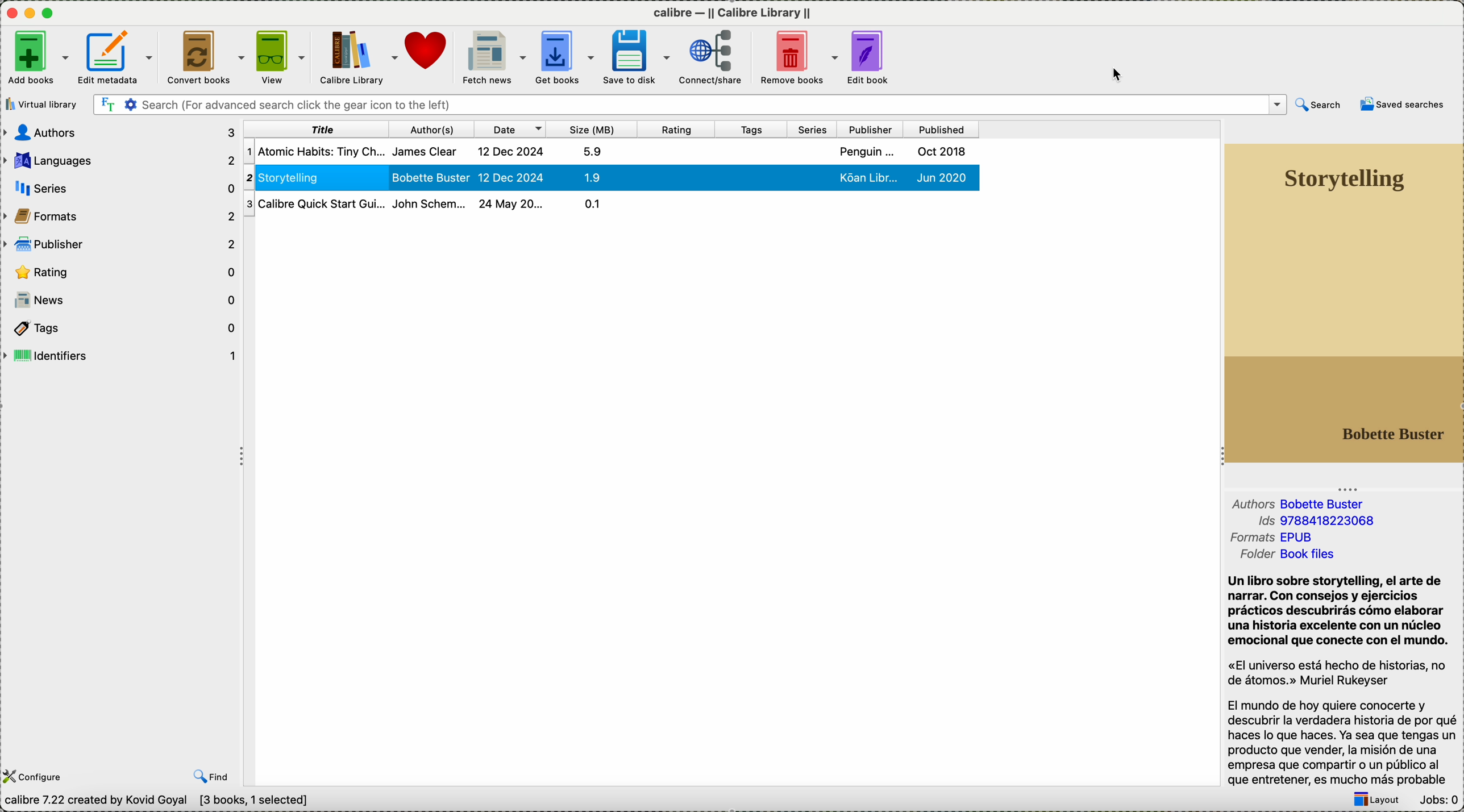 The image size is (1464, 812). I want to click on edit metadata, so click(118, 57).